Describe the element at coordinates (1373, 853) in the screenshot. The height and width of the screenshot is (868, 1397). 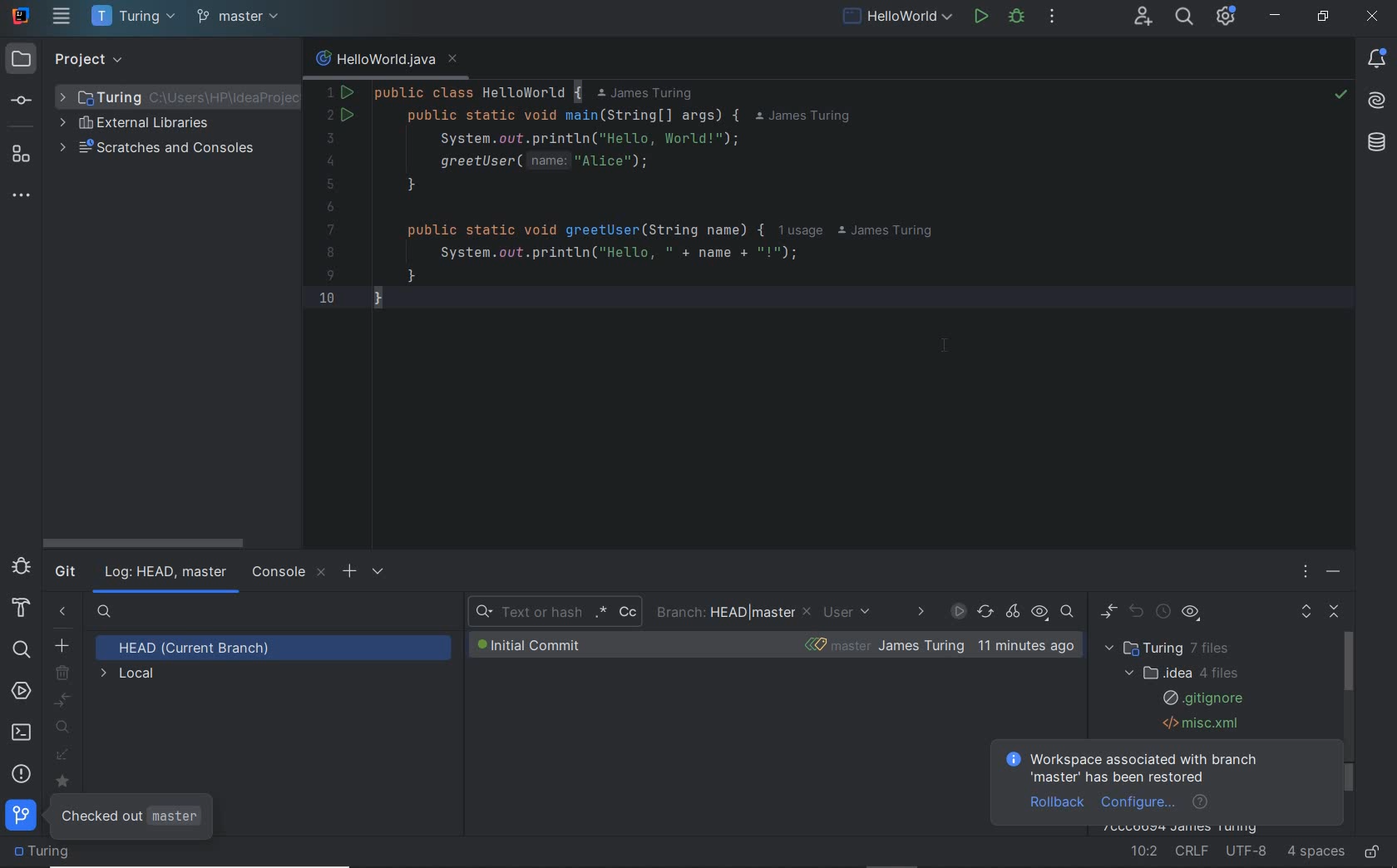
I see `make file ready only` at that location.